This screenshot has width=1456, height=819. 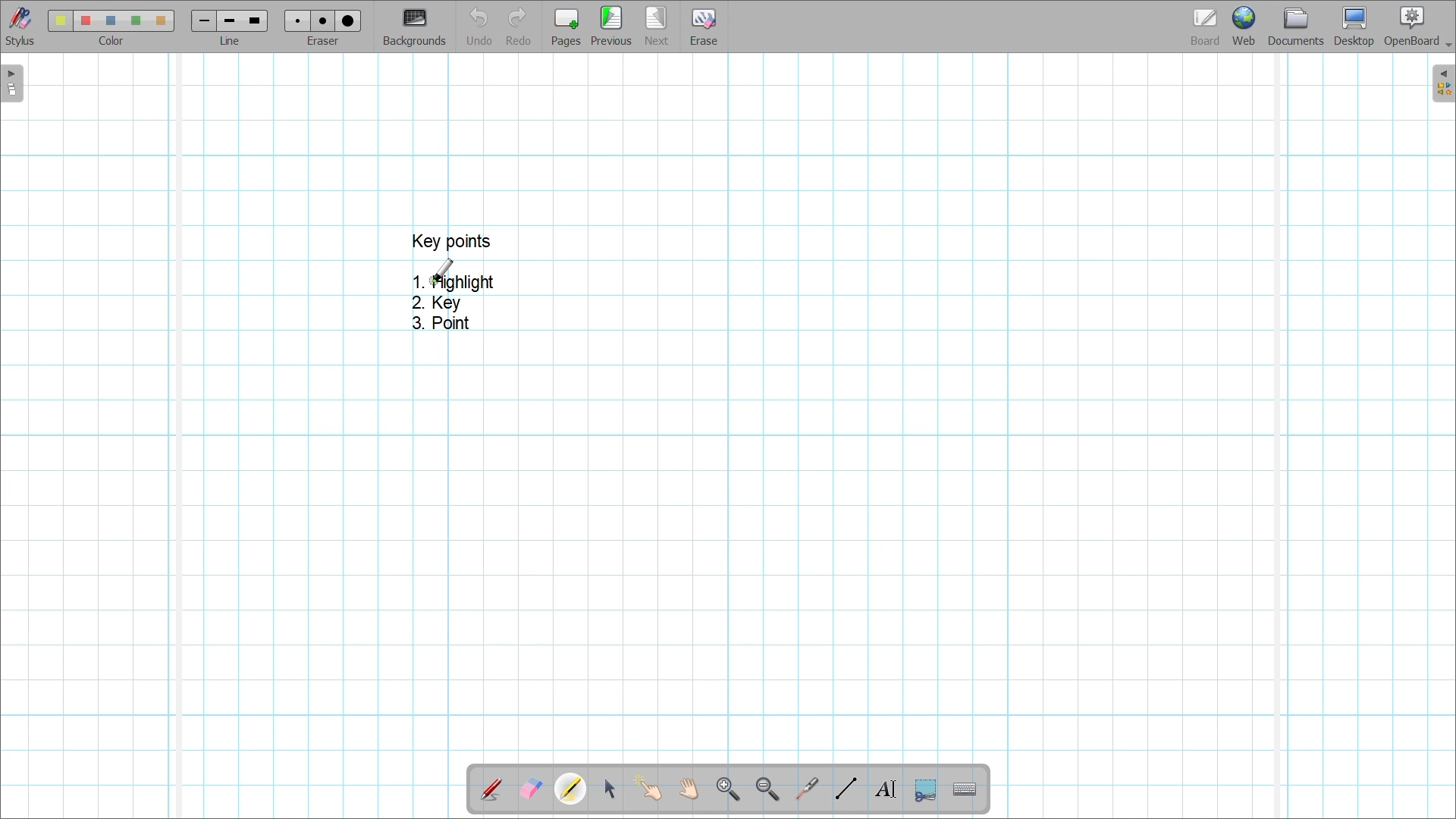 What do you see at coordinates (438, 303) in the screenshot?
I see `2. Key` at bounding box center [438, 303].